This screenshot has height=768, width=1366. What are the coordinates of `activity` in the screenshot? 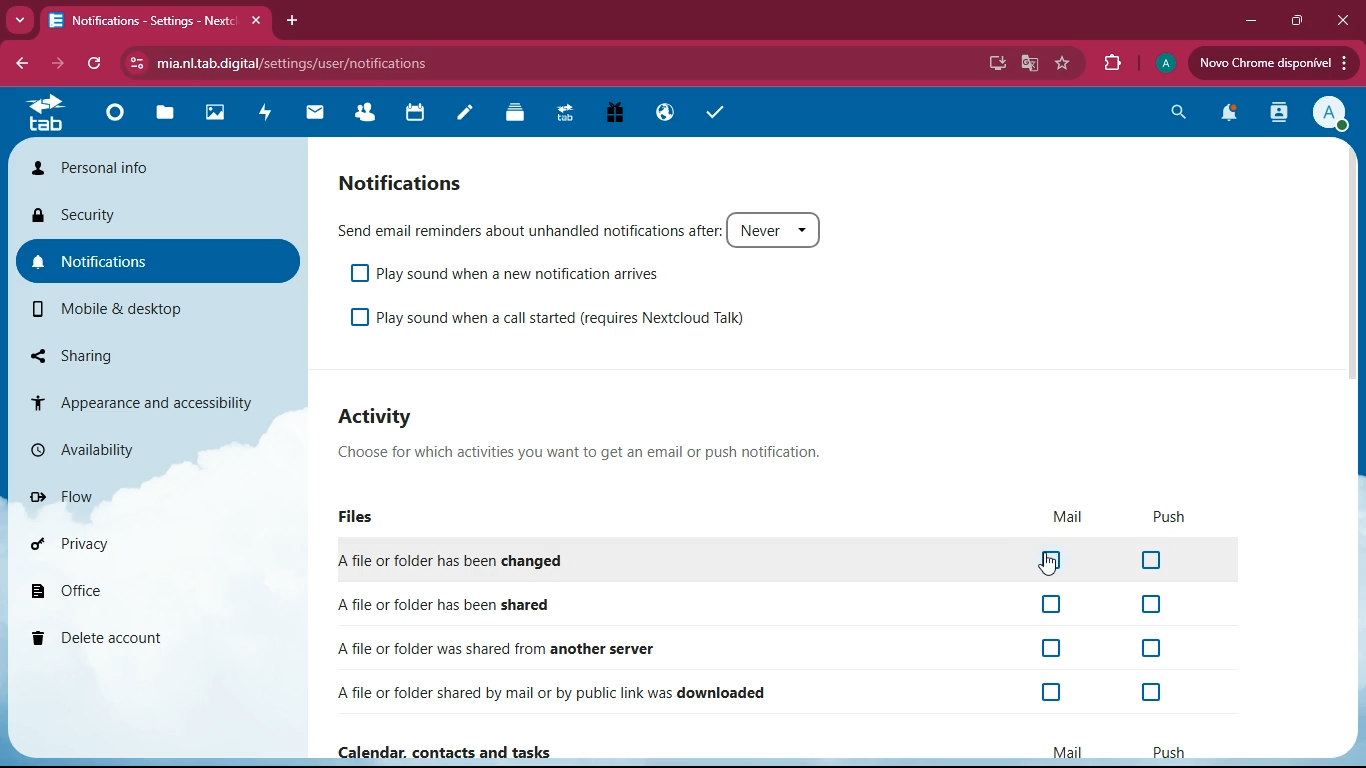 It's located at (388, 416).